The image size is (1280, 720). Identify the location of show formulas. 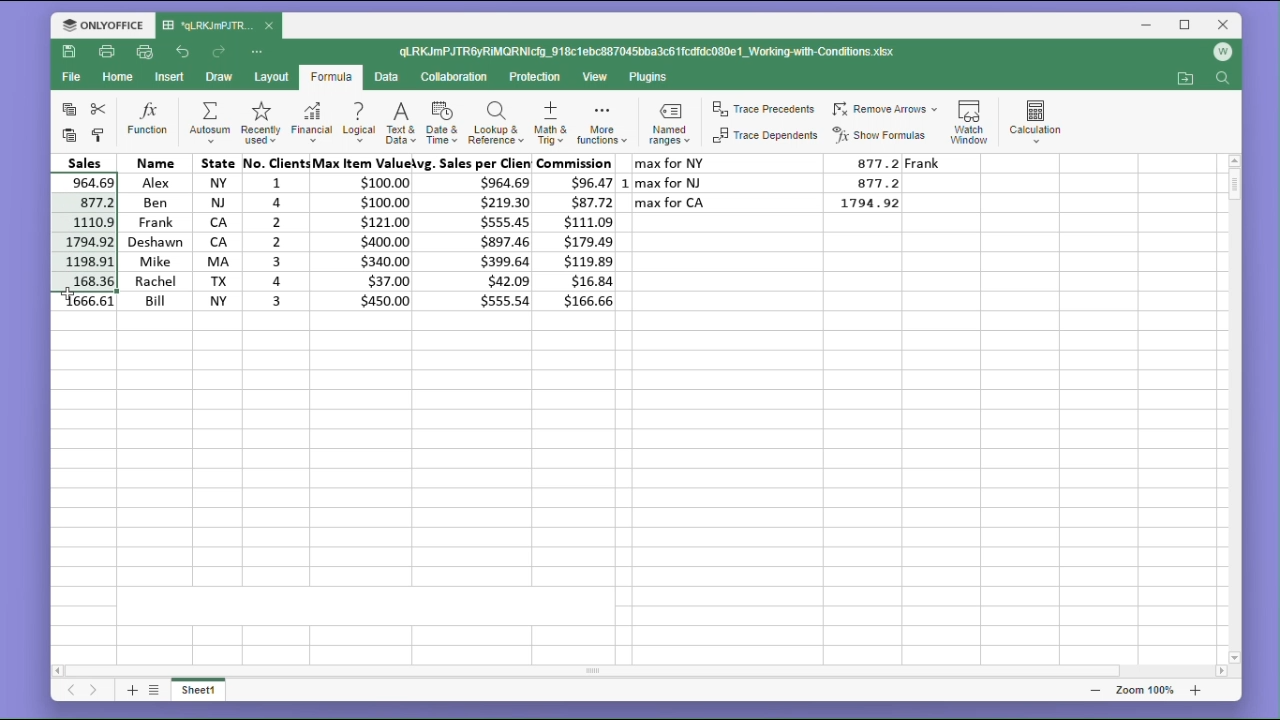
(884, 135).